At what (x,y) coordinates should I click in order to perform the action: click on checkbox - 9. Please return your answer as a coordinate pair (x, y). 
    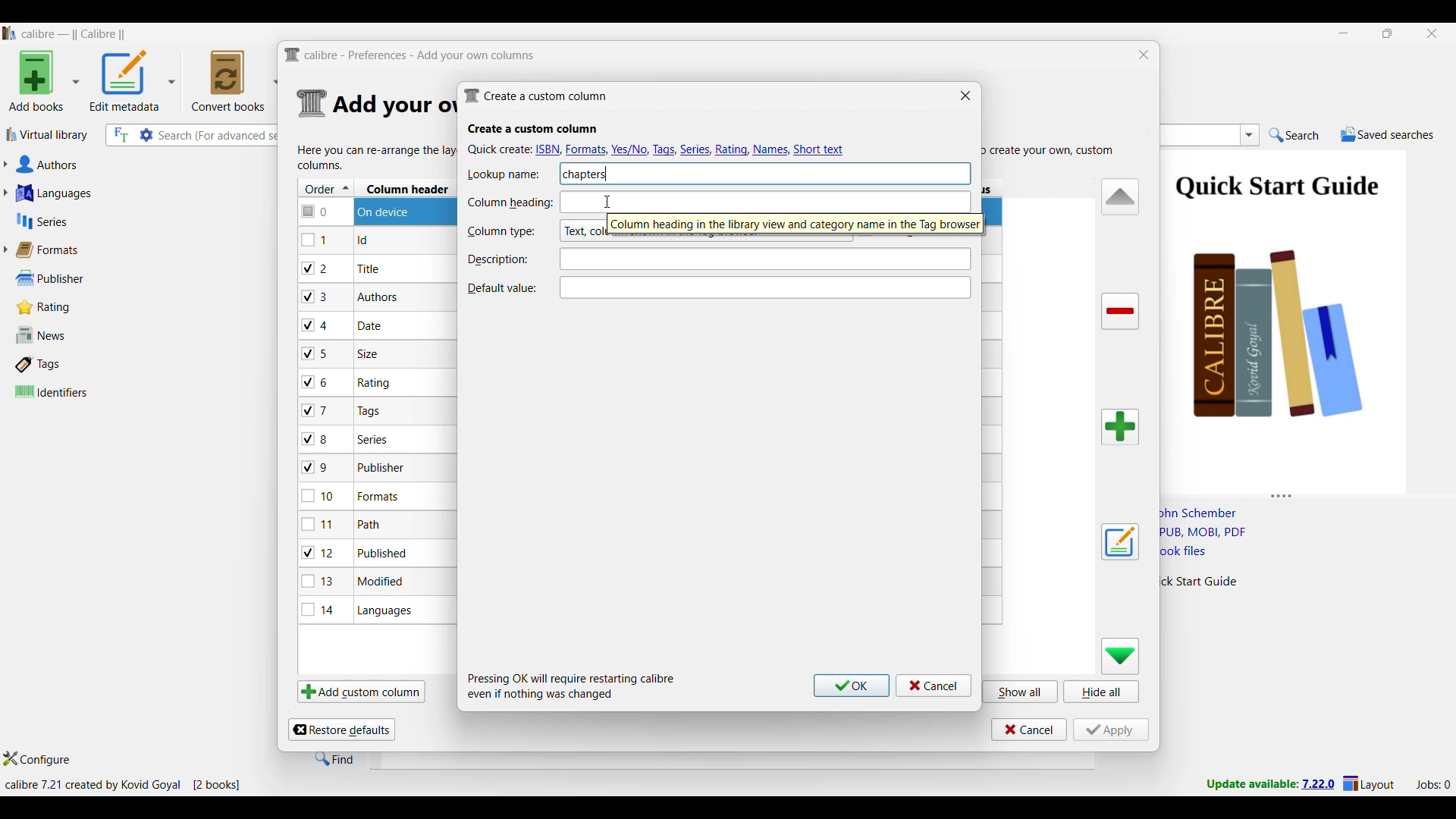
    Looking at the image, I should click on (315, 468).